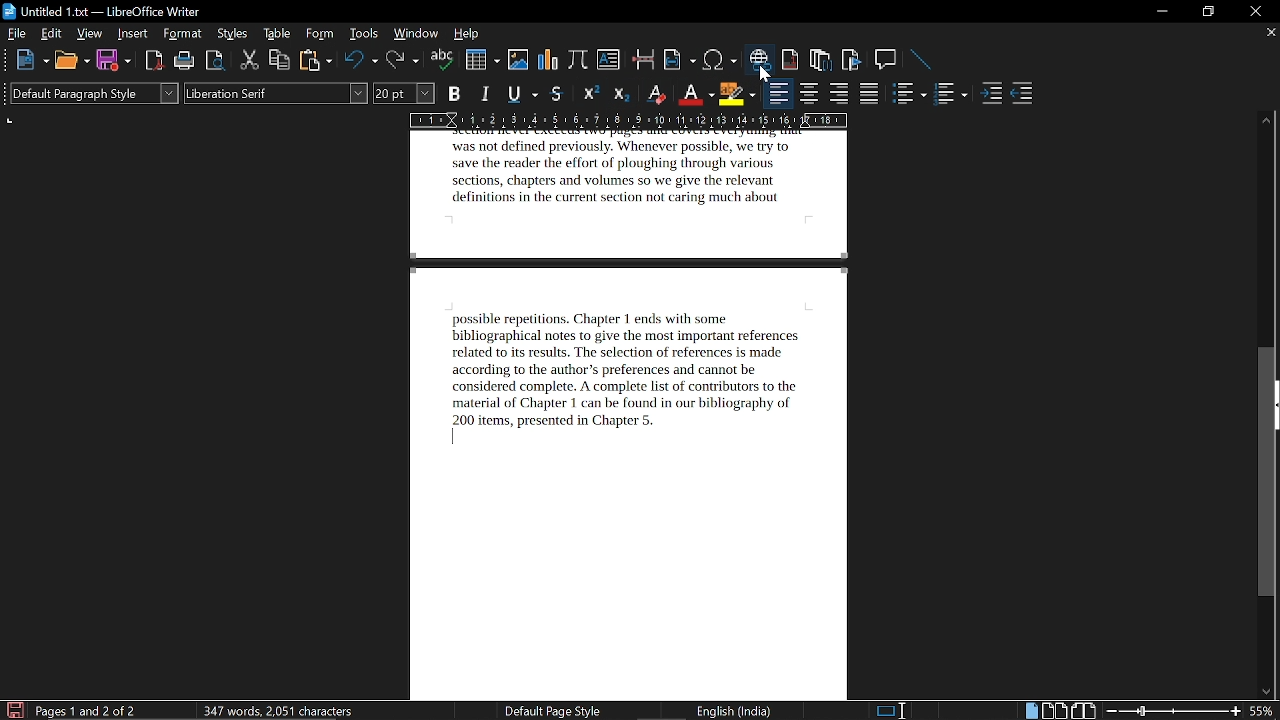 Image resolution: width=1280 pixels, height=720 pixels. Describe the element at coordinates (50, 33) in the screenshot. I see `edit` at that location.